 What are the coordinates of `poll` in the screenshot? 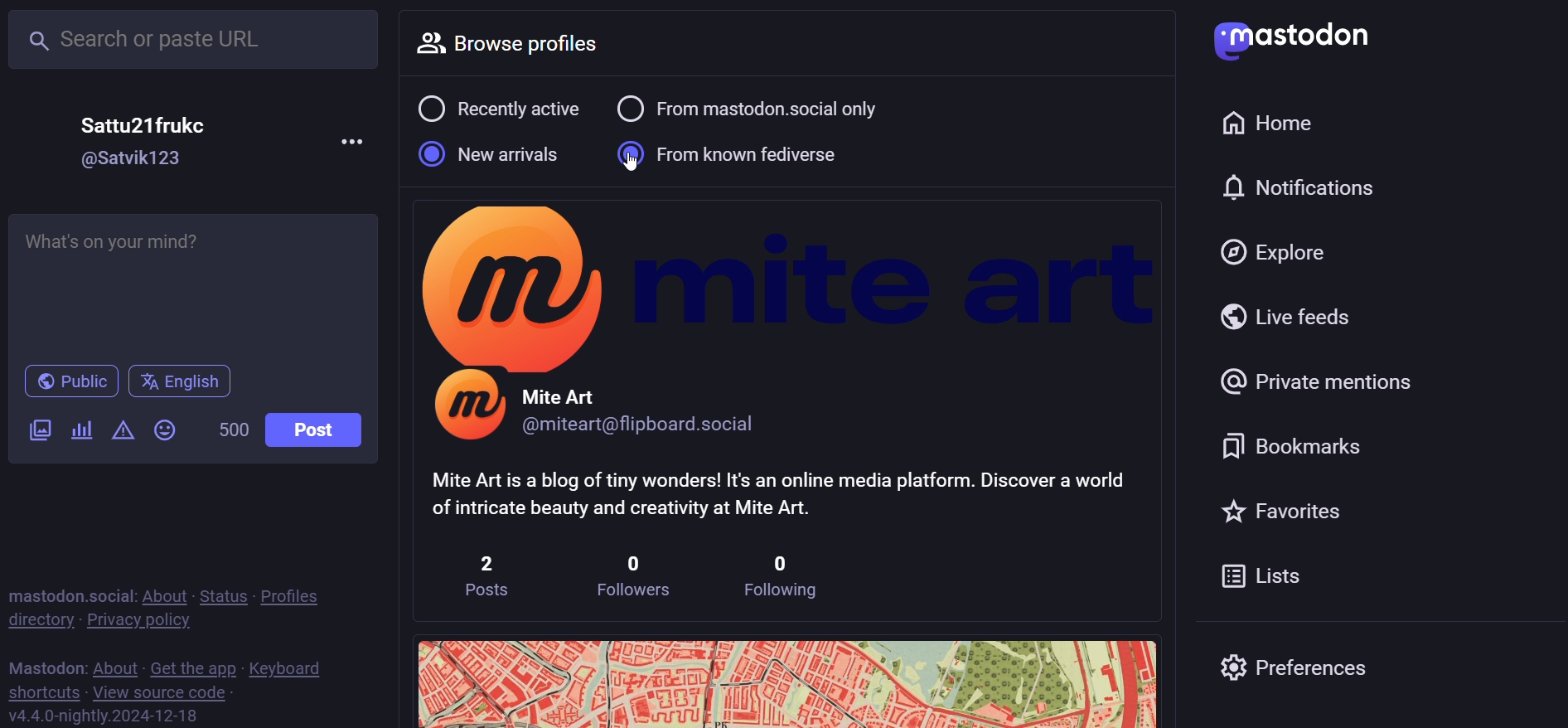 It's located at (81, 431).